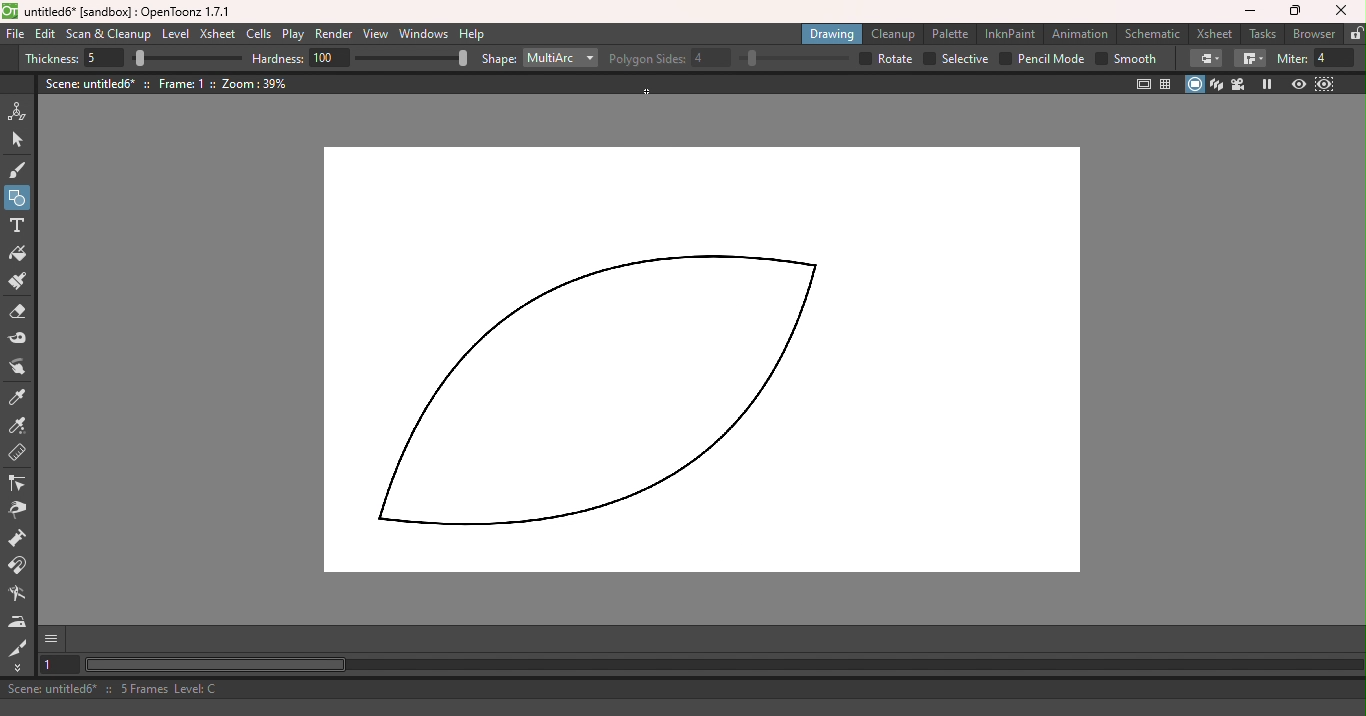  What do you see at coordinates (1152, 33) in the screenshot?
I see `Schematic` at bounding box center [1152, 33].